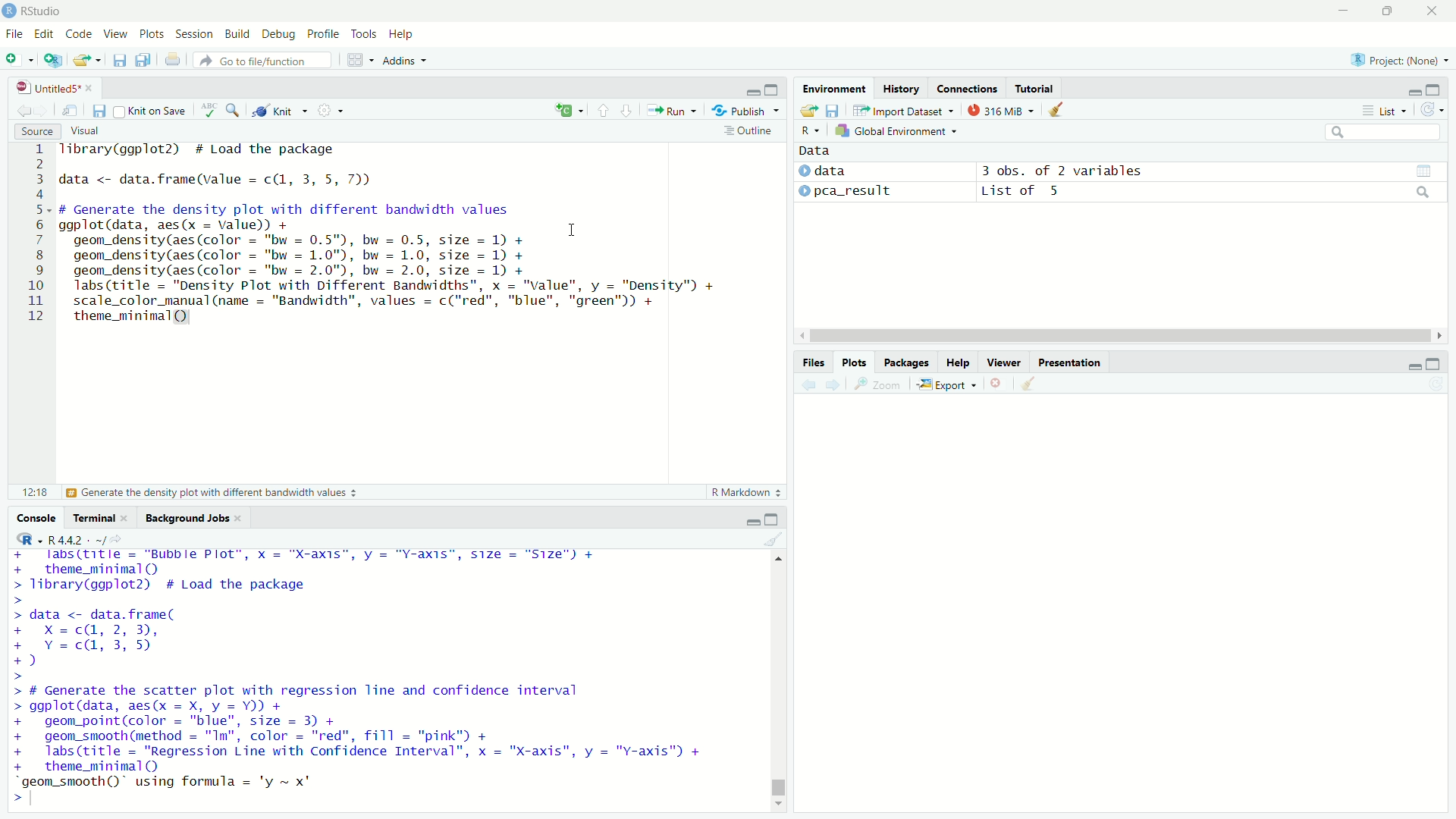 This screenshot has width=1456, height=819. Describe the element at coordinates (808, 110) in the screenshot. I see `Load workspace` at that location.